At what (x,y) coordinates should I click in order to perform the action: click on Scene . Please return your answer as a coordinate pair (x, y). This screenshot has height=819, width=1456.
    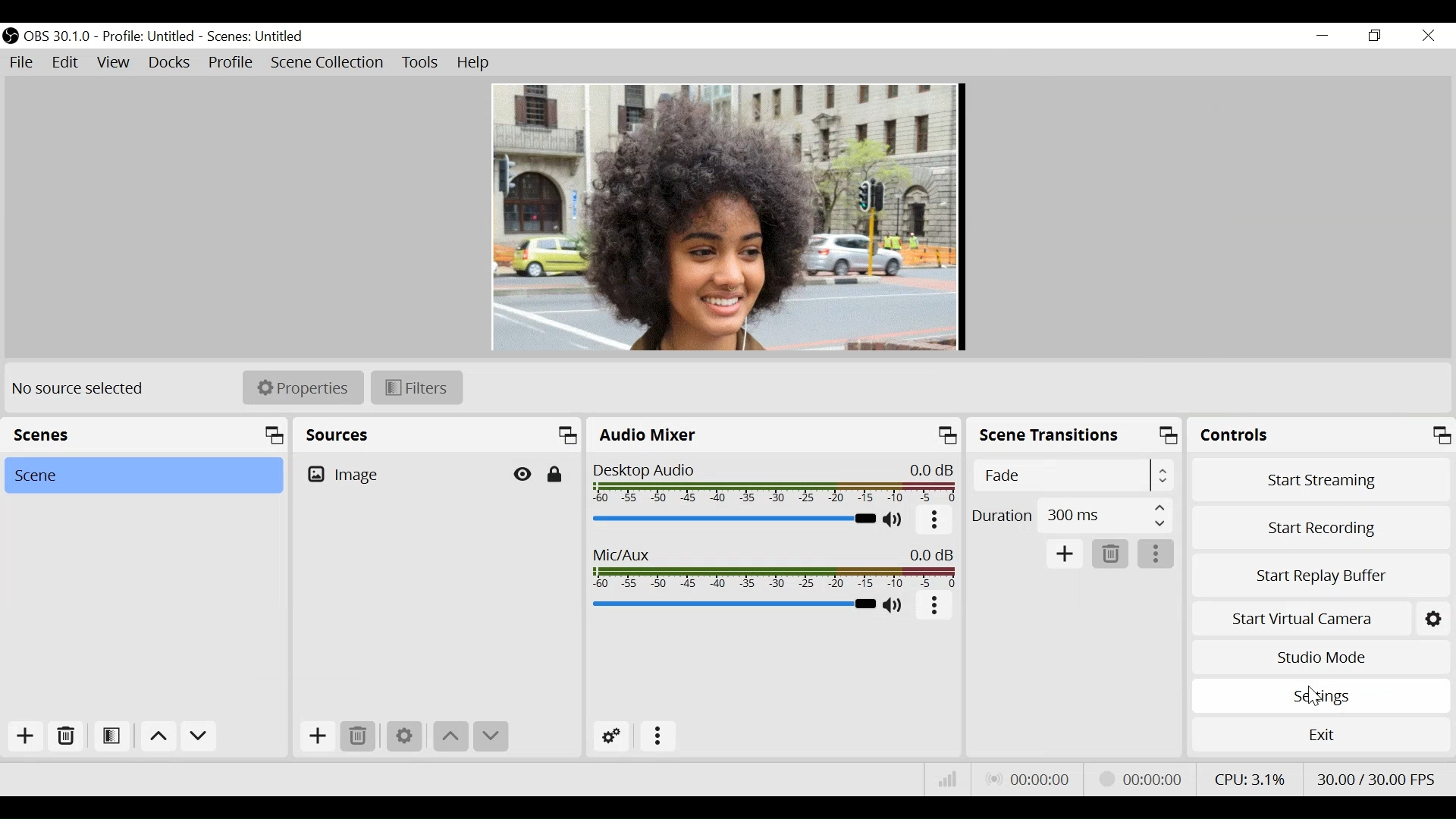
    Looking at the image, I should click on (143, 475).